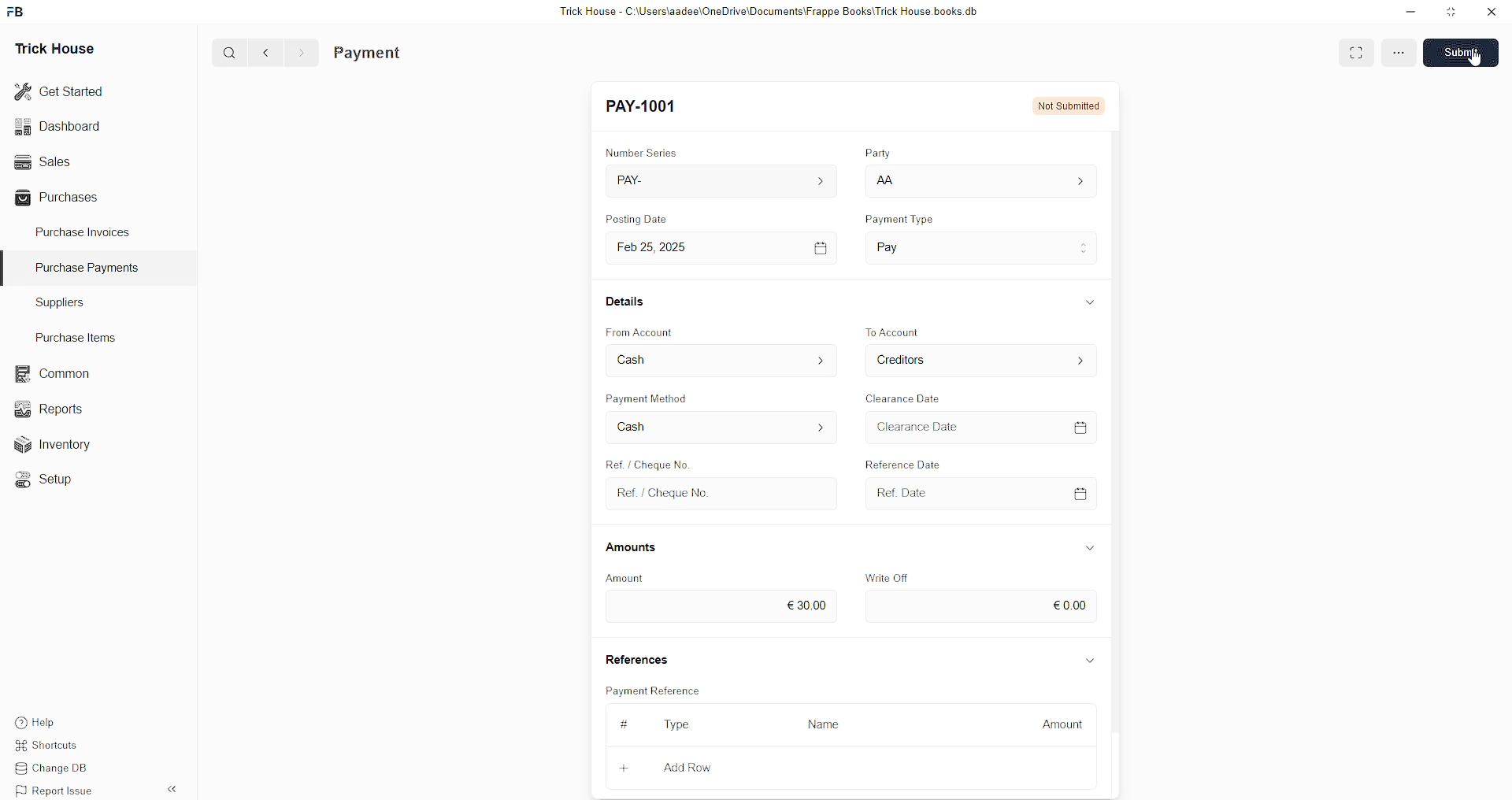  I want to click on €30.00, so click(814, 602).